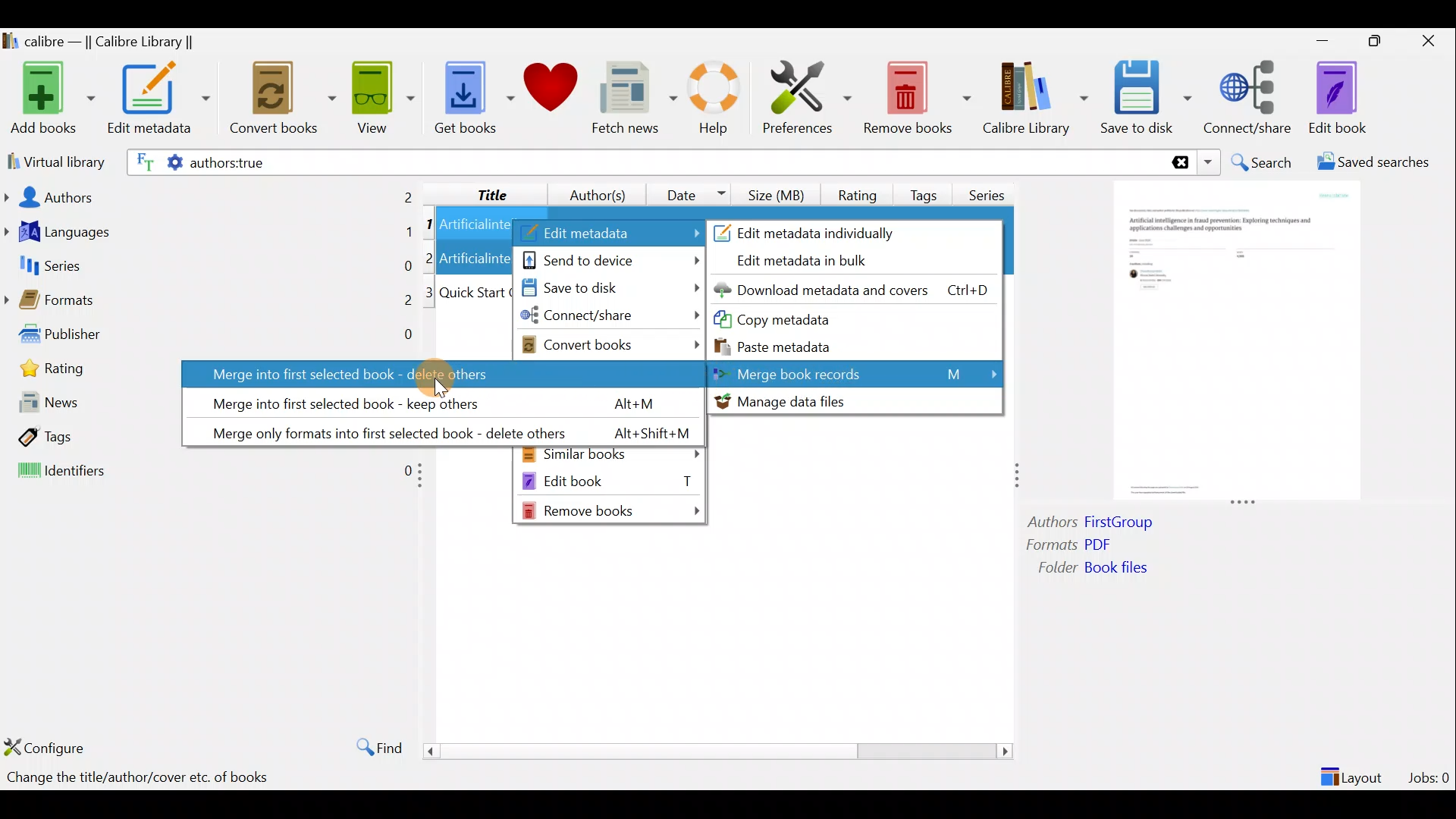 The width and height of the screenshot is (1456, 819). Describe the element at coordinates (1430, 773) in the screenshot. I see `Jobs: 0` at that location.